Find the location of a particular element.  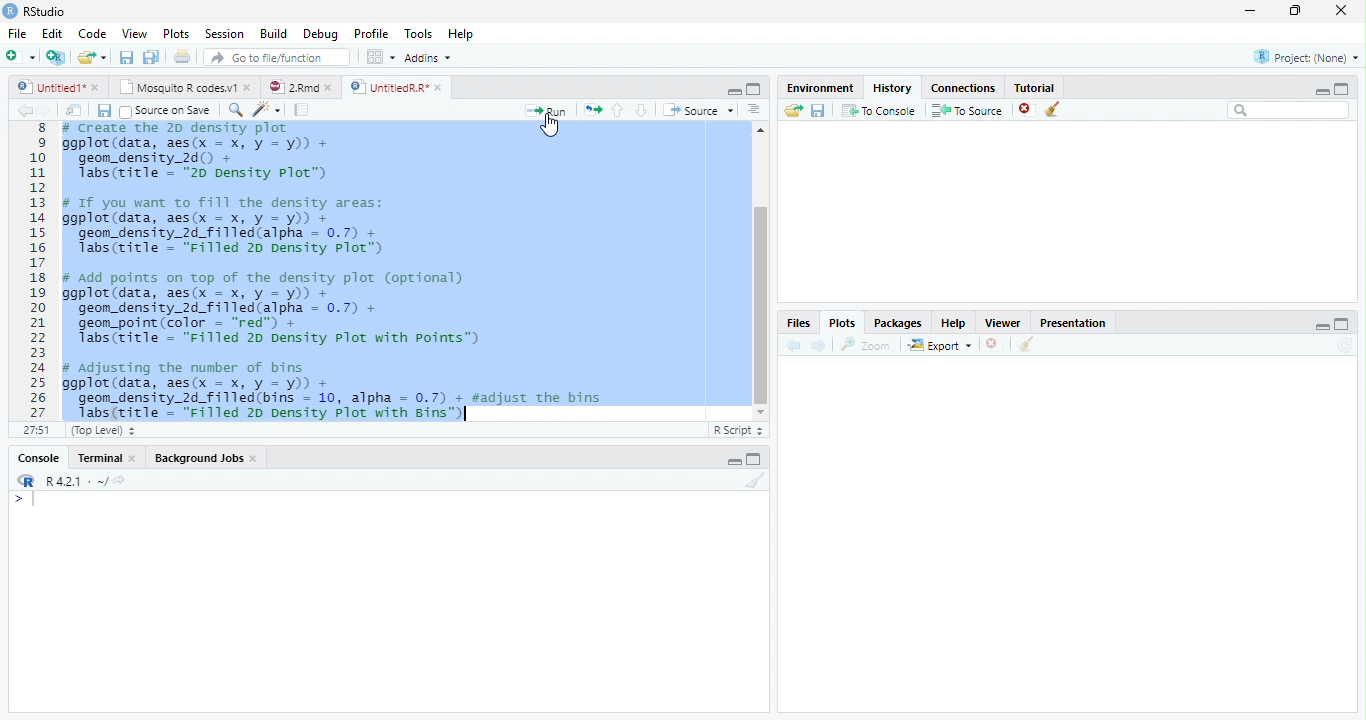

Edit is located at coordinates (52, 34).